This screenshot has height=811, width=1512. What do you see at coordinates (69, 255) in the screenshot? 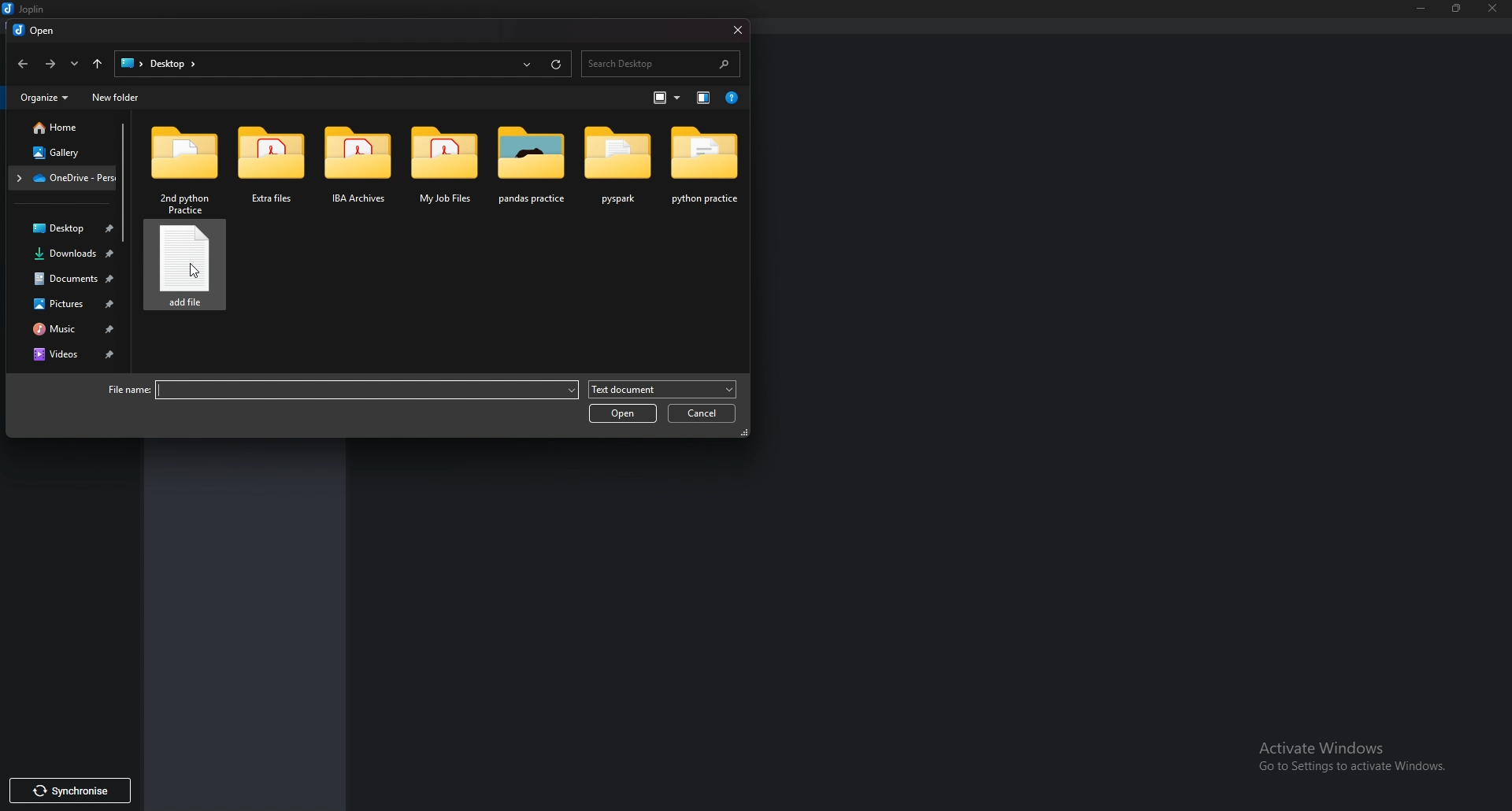
I see `Downloads` at bounding box center [69, 255].